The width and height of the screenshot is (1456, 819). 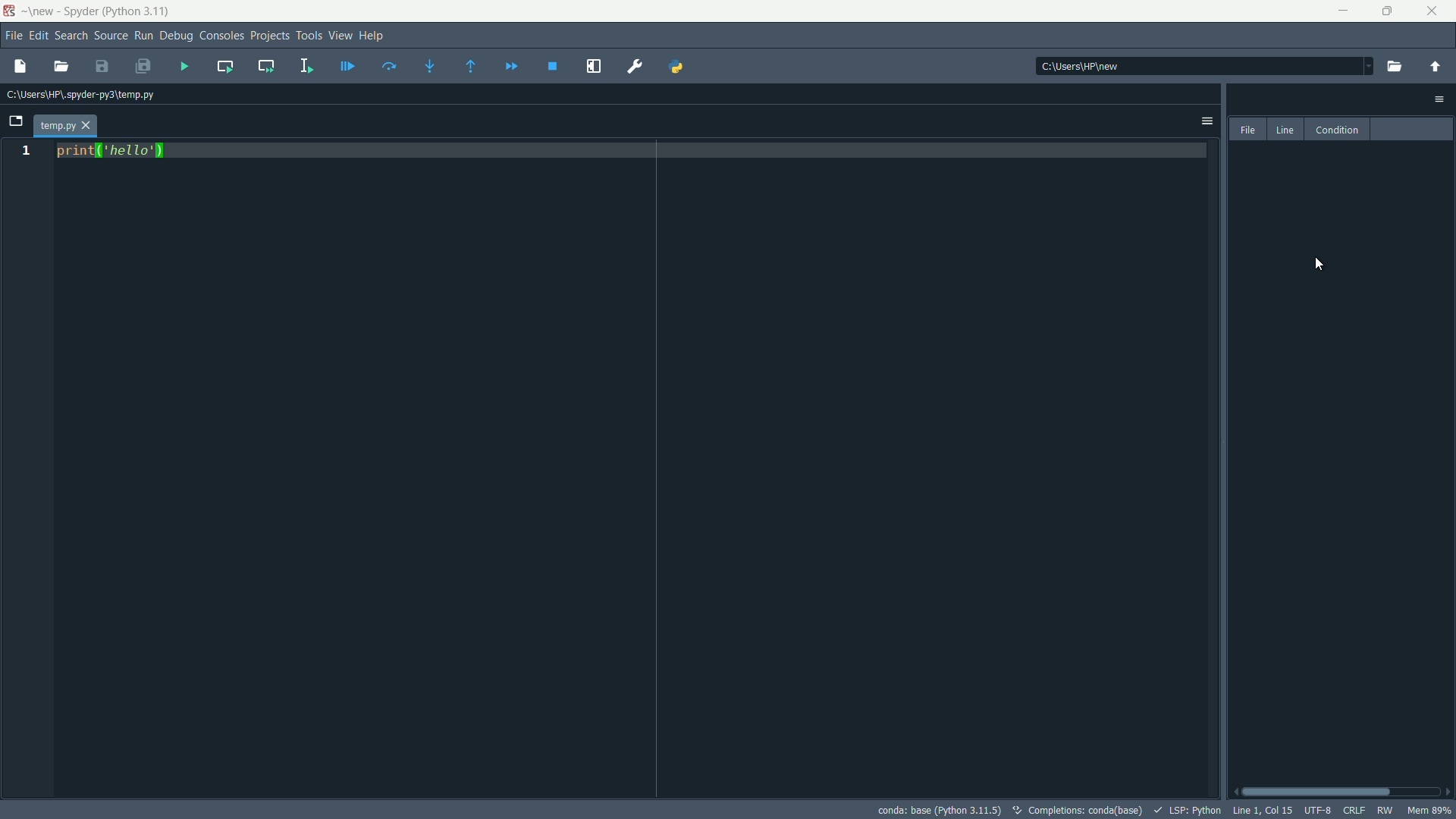 What do you see at coordinates (937, 810) in the screenshot?
I see `conda: base (Python 3.11.5)` at bounding box center [937, 810].